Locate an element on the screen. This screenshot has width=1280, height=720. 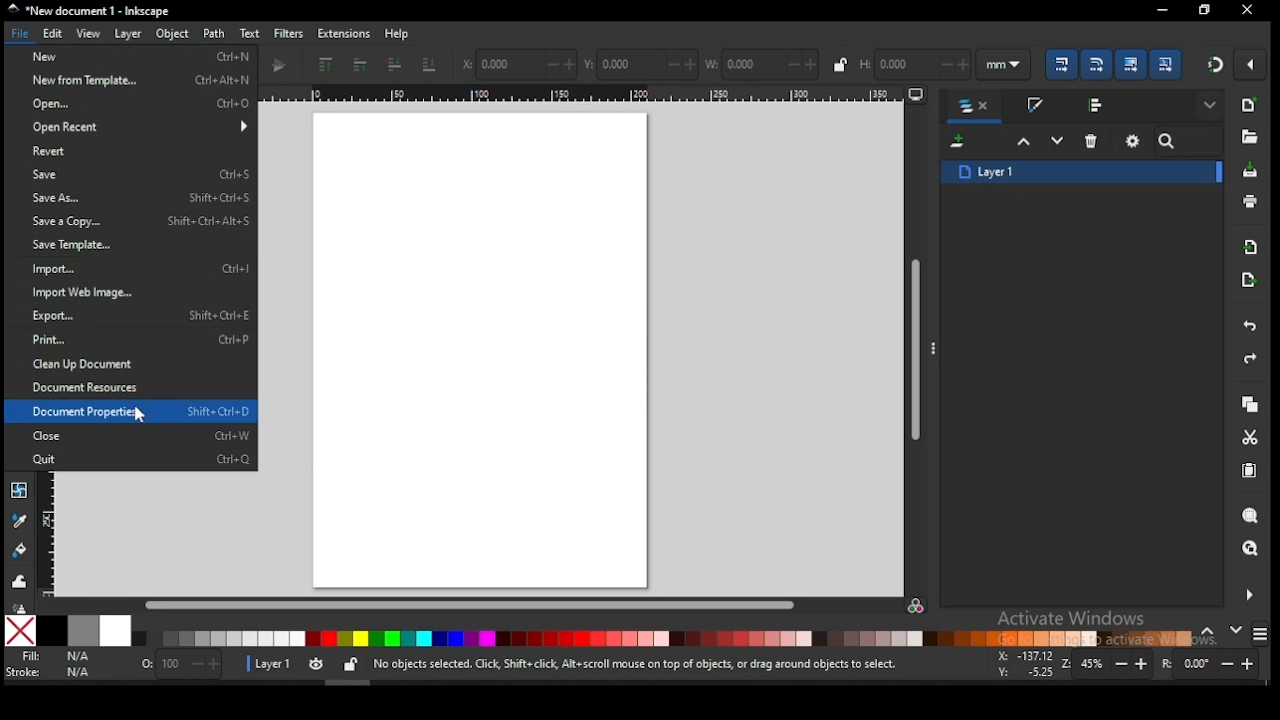
fill color is located at coordinates (53, 657).